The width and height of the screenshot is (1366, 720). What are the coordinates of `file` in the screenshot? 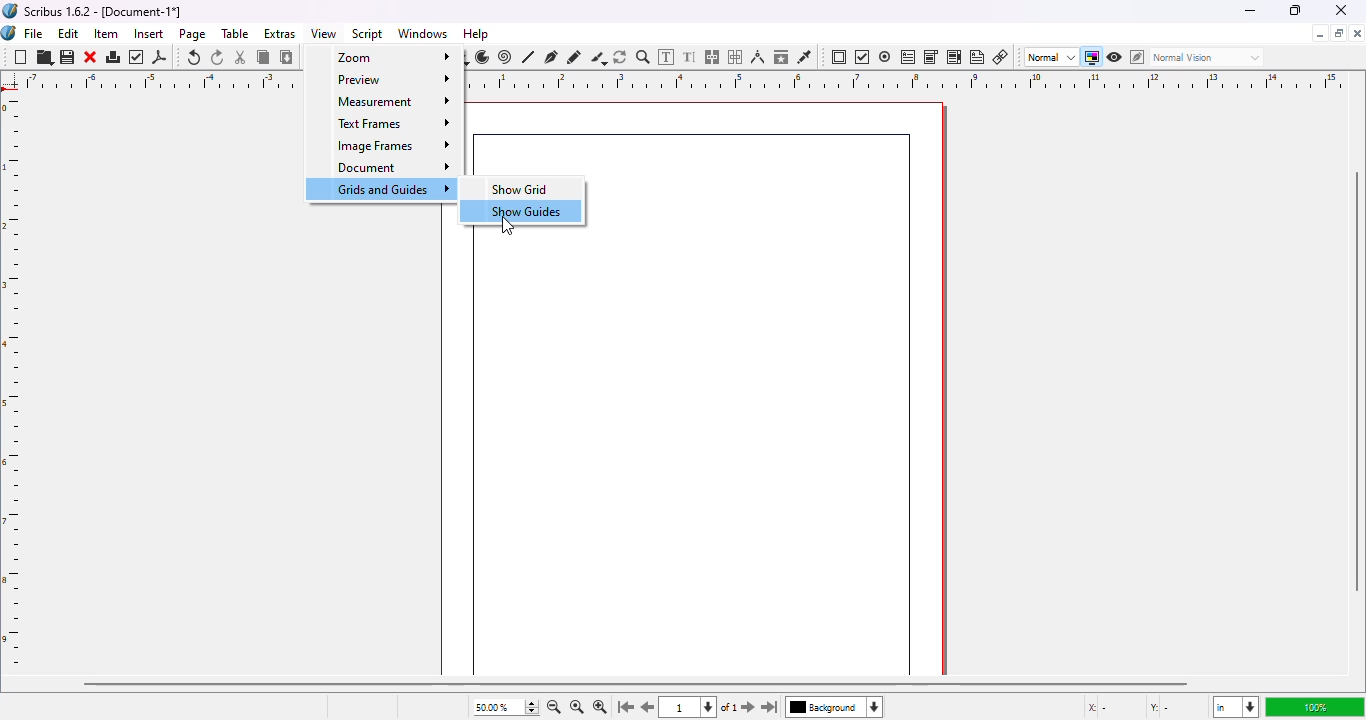 It's located at (34, 33).